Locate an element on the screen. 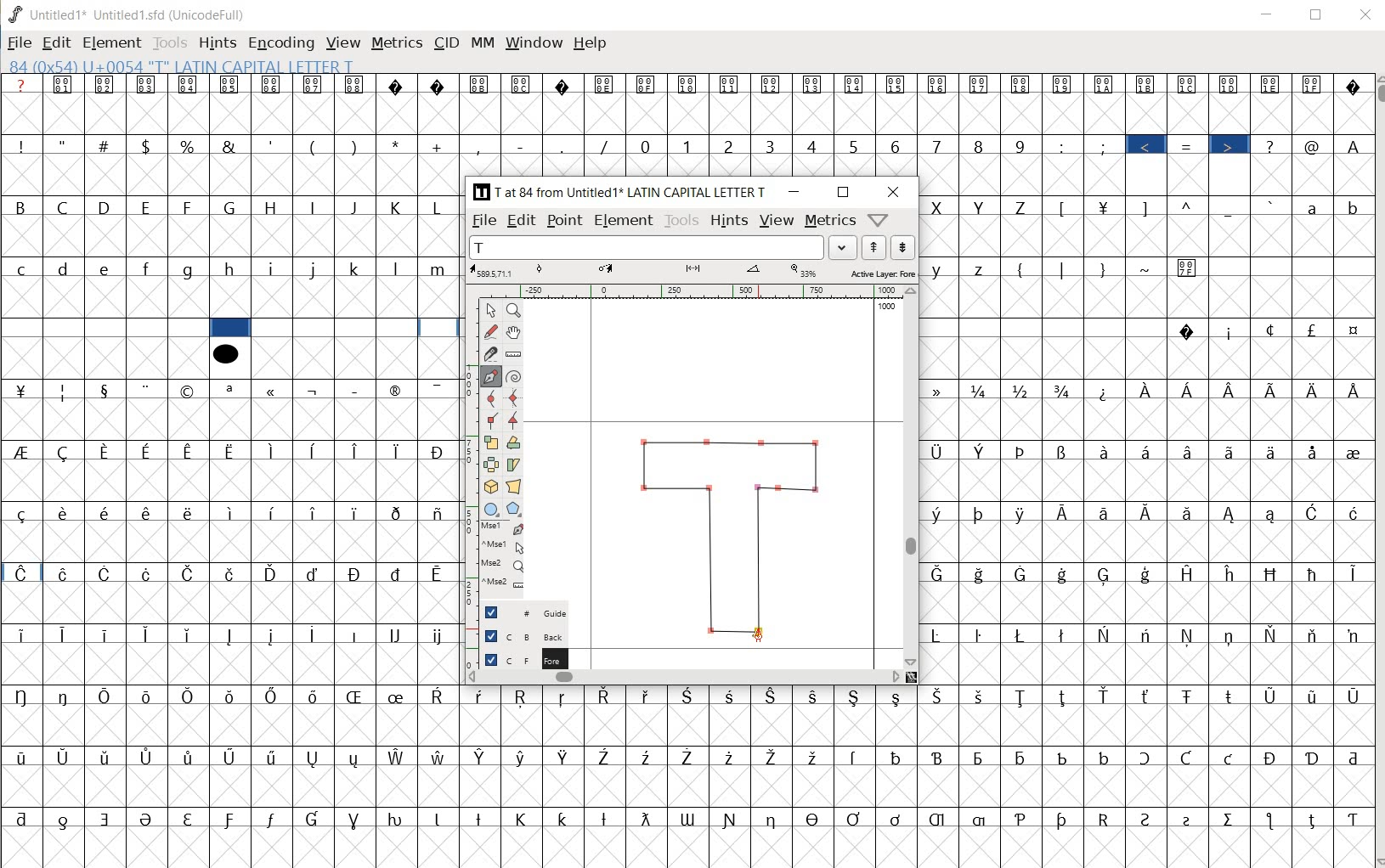 The width and height of the screenshot is (1385, 868). : is located at coordinates (1063, 145).